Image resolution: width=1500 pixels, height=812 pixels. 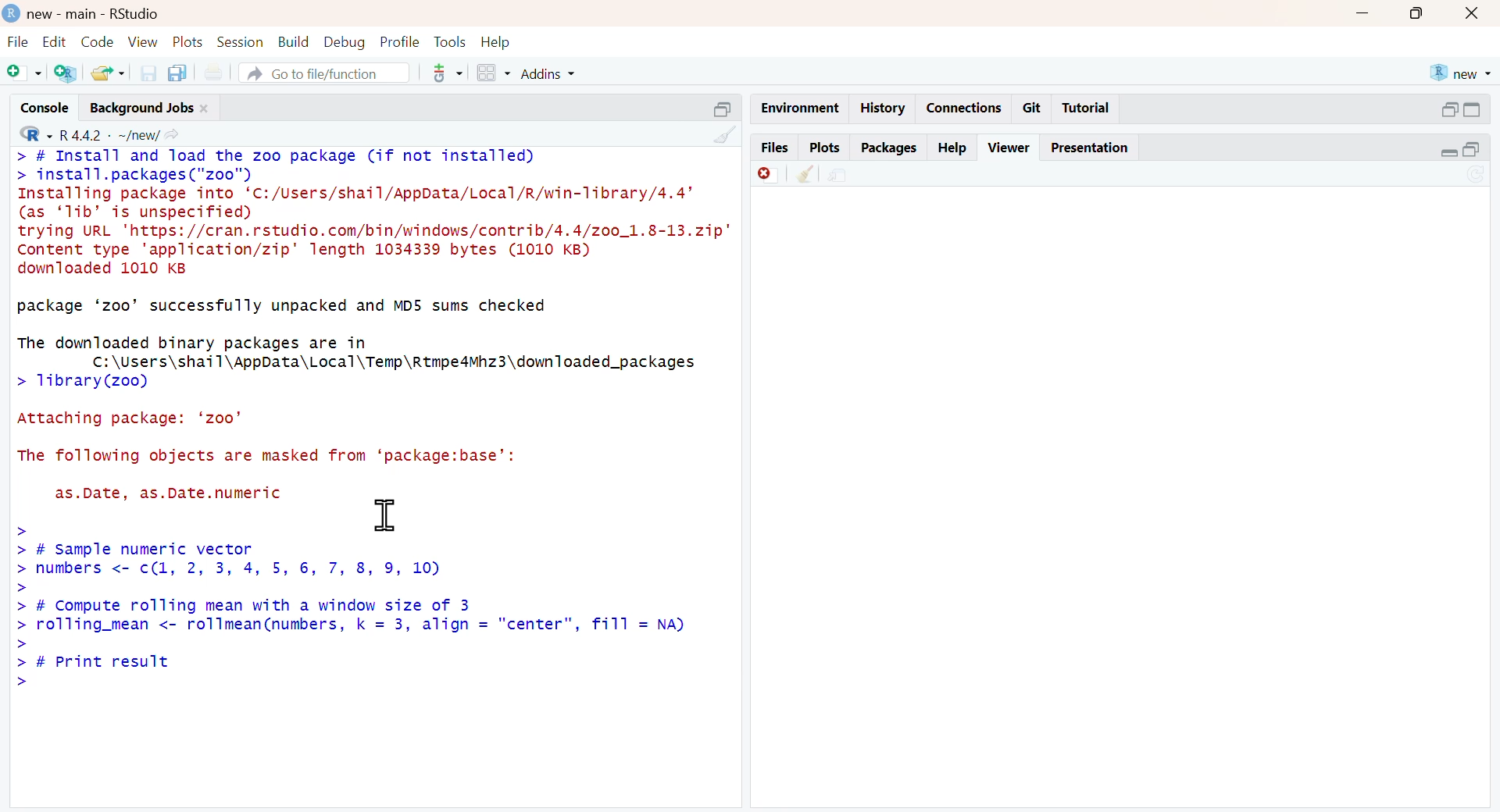 What do you see at coordinates (173, 134) in the screenshot?
I see `share icon` at bounding box center [173, 134].